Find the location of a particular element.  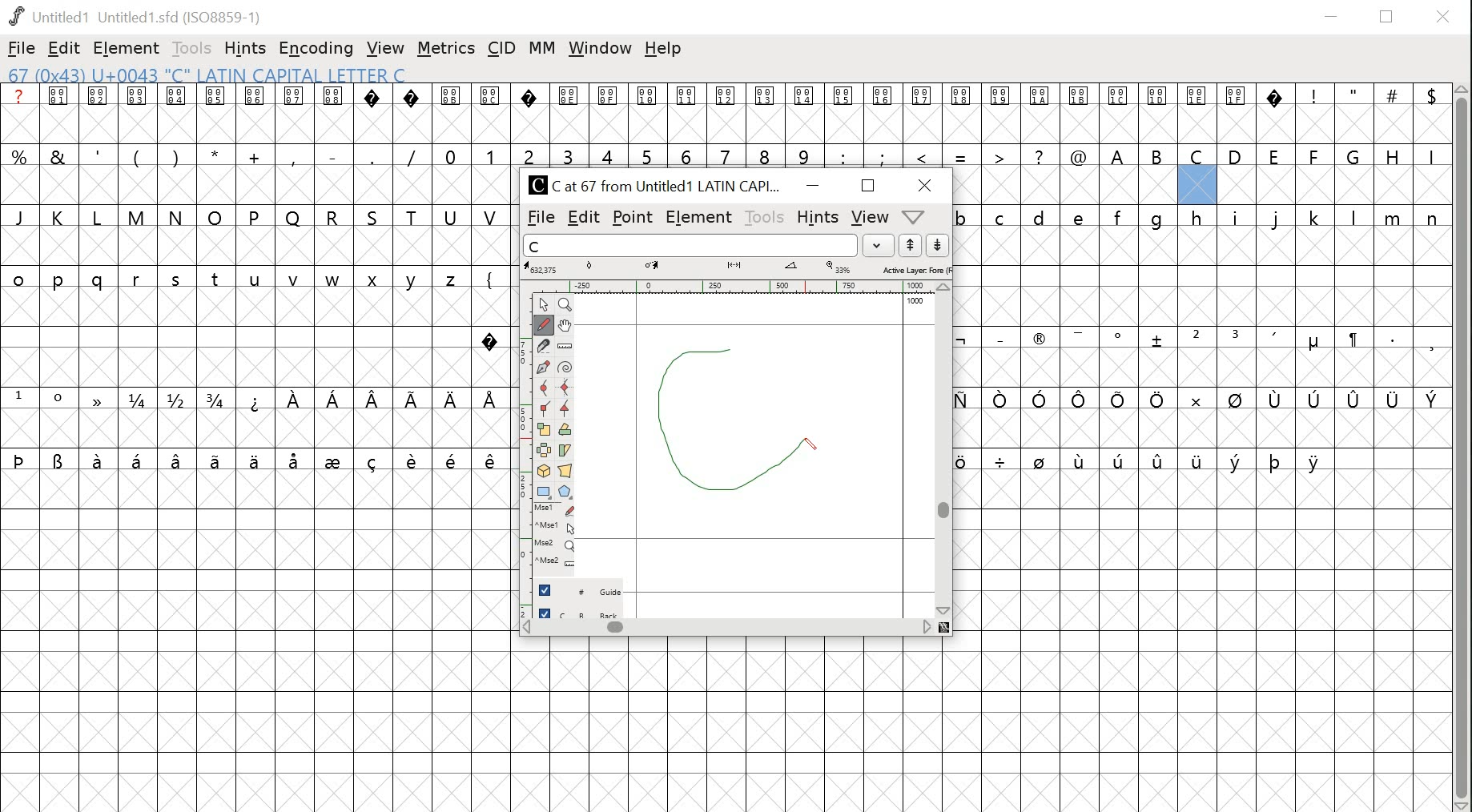

drawing pen/cursor position is located at coordinates (810, 450).